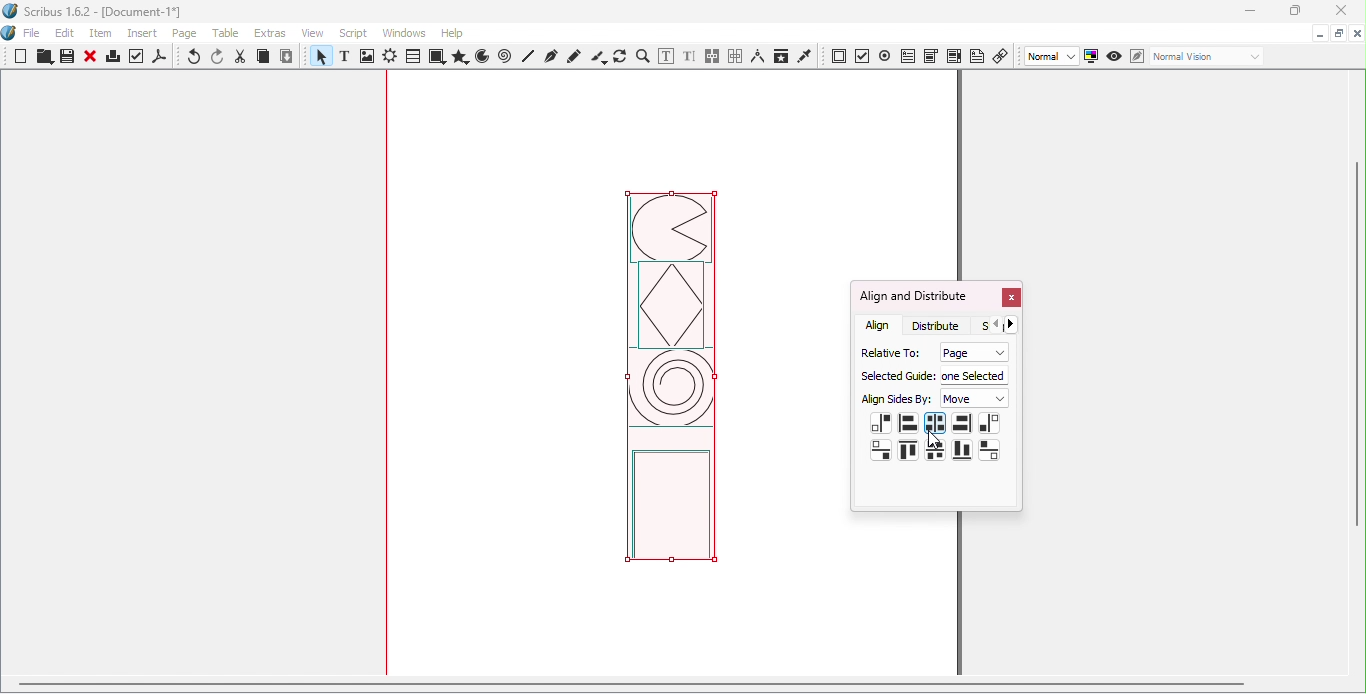 This screenshot has width=1366, height=694. What do you see at coordinates (369, 58) in the screenshot?
I see `Image frame` at bounding box center [369, 58].